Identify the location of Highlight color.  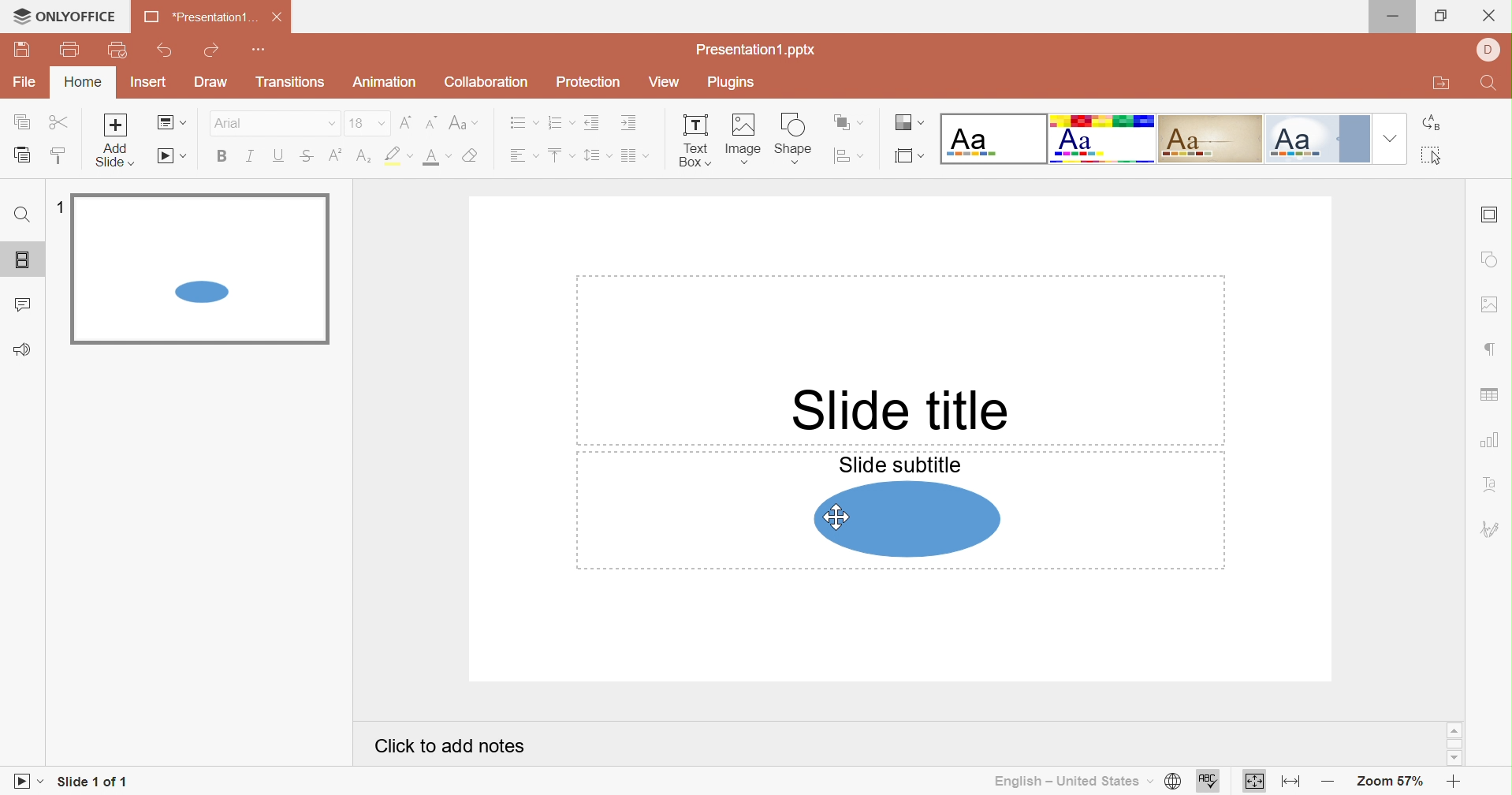
(396, 155).